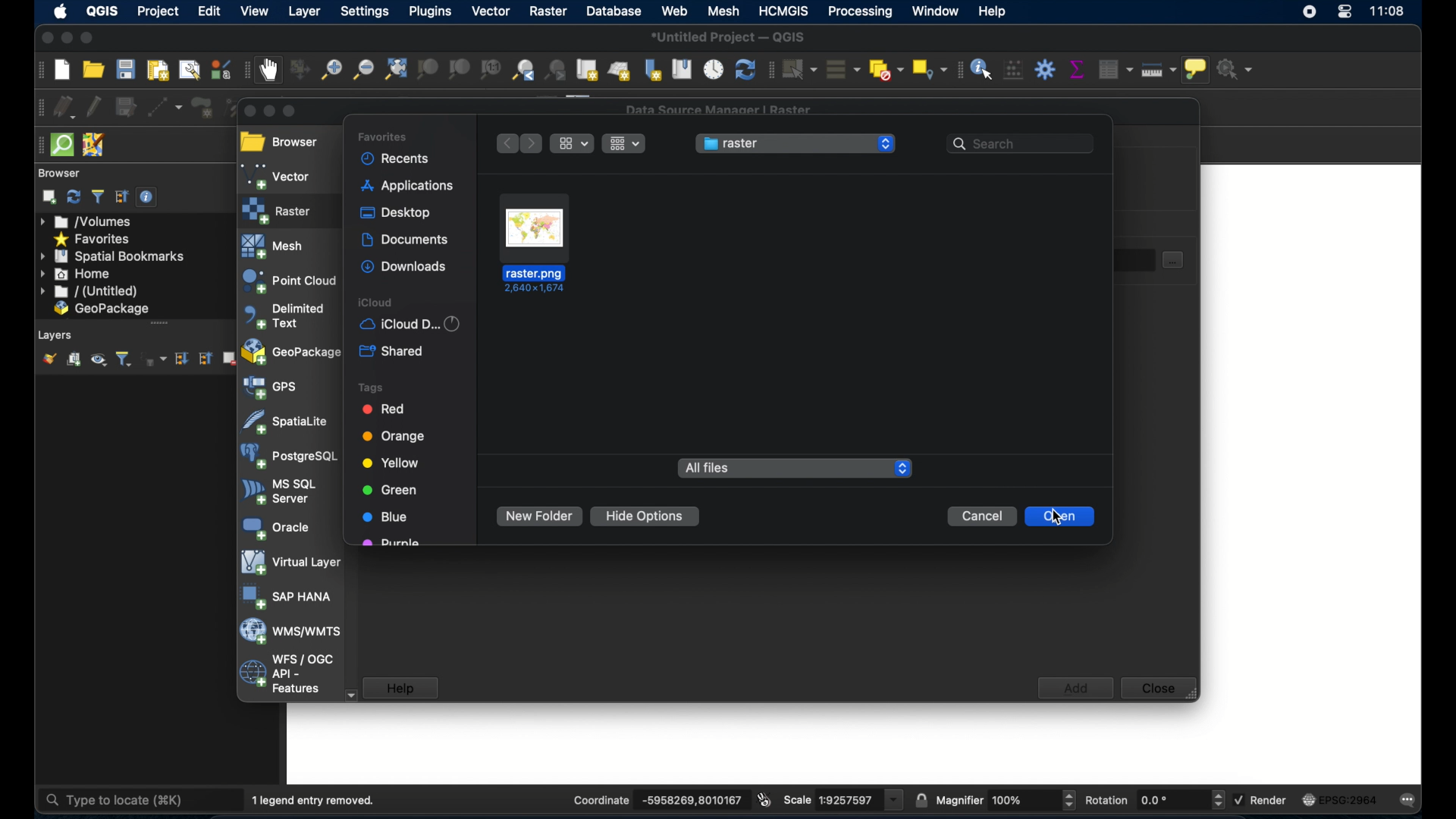 The height and width of the screenshot is (819, 1456). Describe the element at coordinates (397, 437) in the screenshot. I see `orange` at that location.